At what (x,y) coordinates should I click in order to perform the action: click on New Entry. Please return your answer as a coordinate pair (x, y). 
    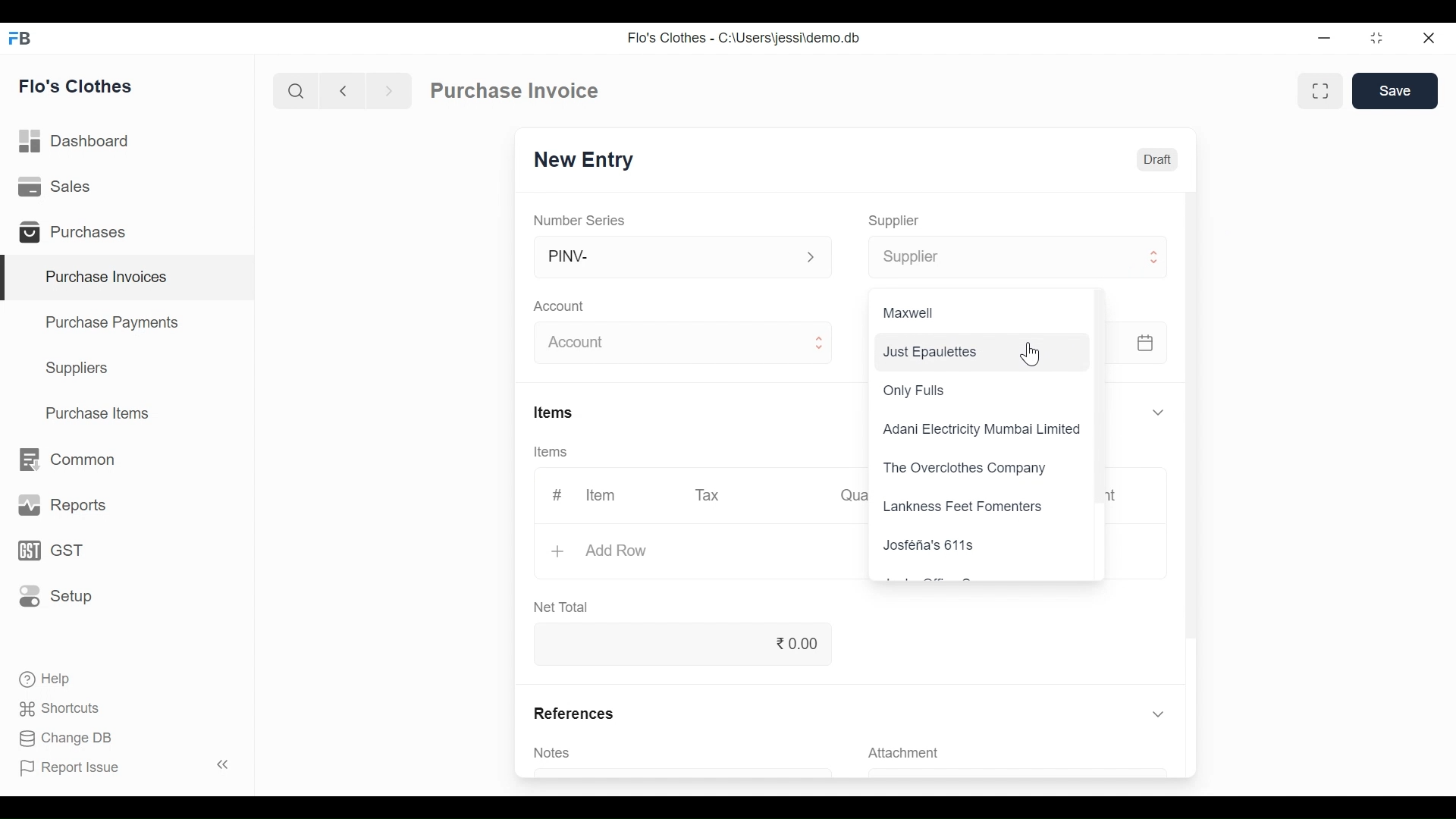
    Looking at the image, I should click on (585, 160).